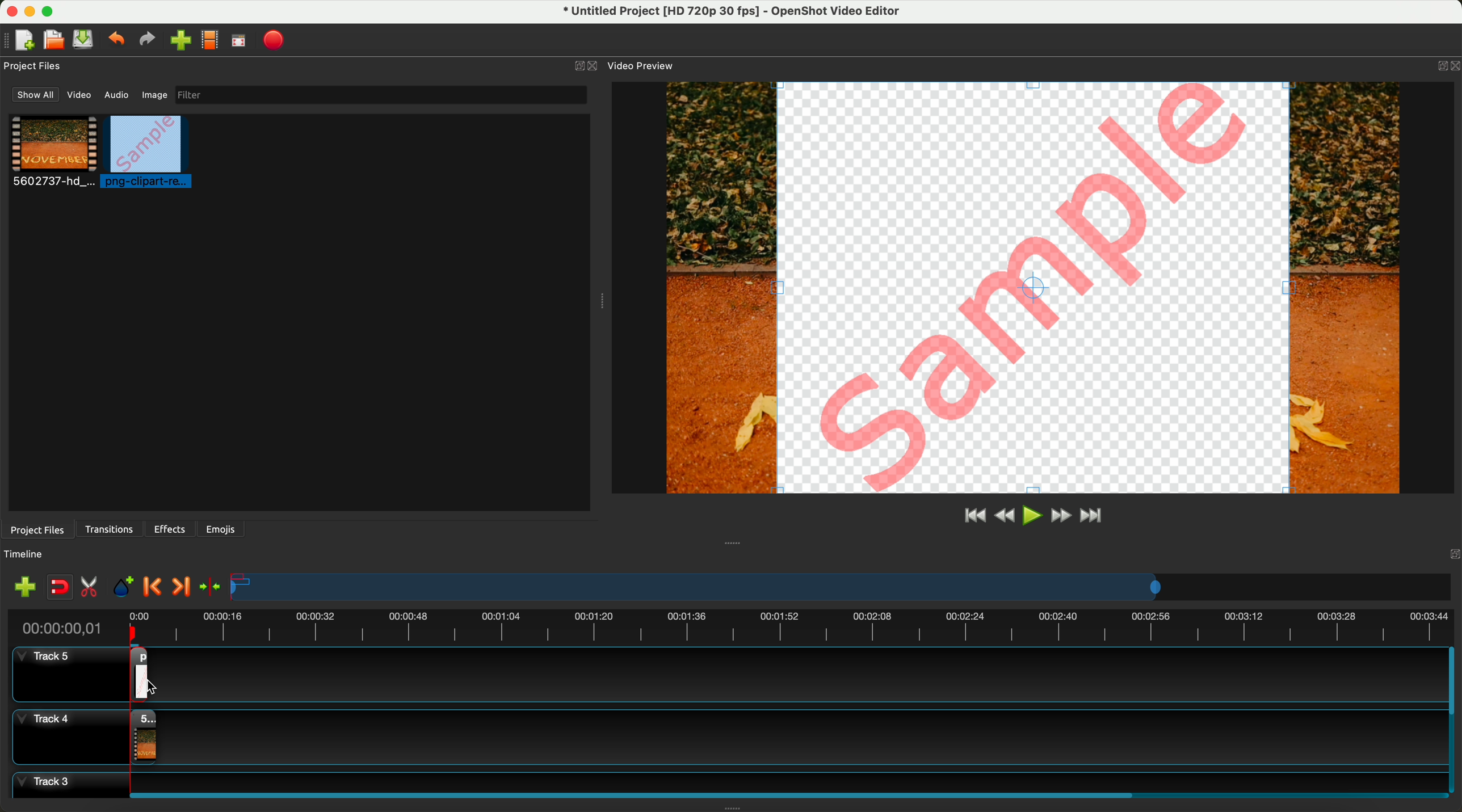 The height and width of the screenshot is (812, 1462). What do you see at coordinates (1093, 517) in the screenshot?
I see `jump to end` at bounding box center [1093, 517].